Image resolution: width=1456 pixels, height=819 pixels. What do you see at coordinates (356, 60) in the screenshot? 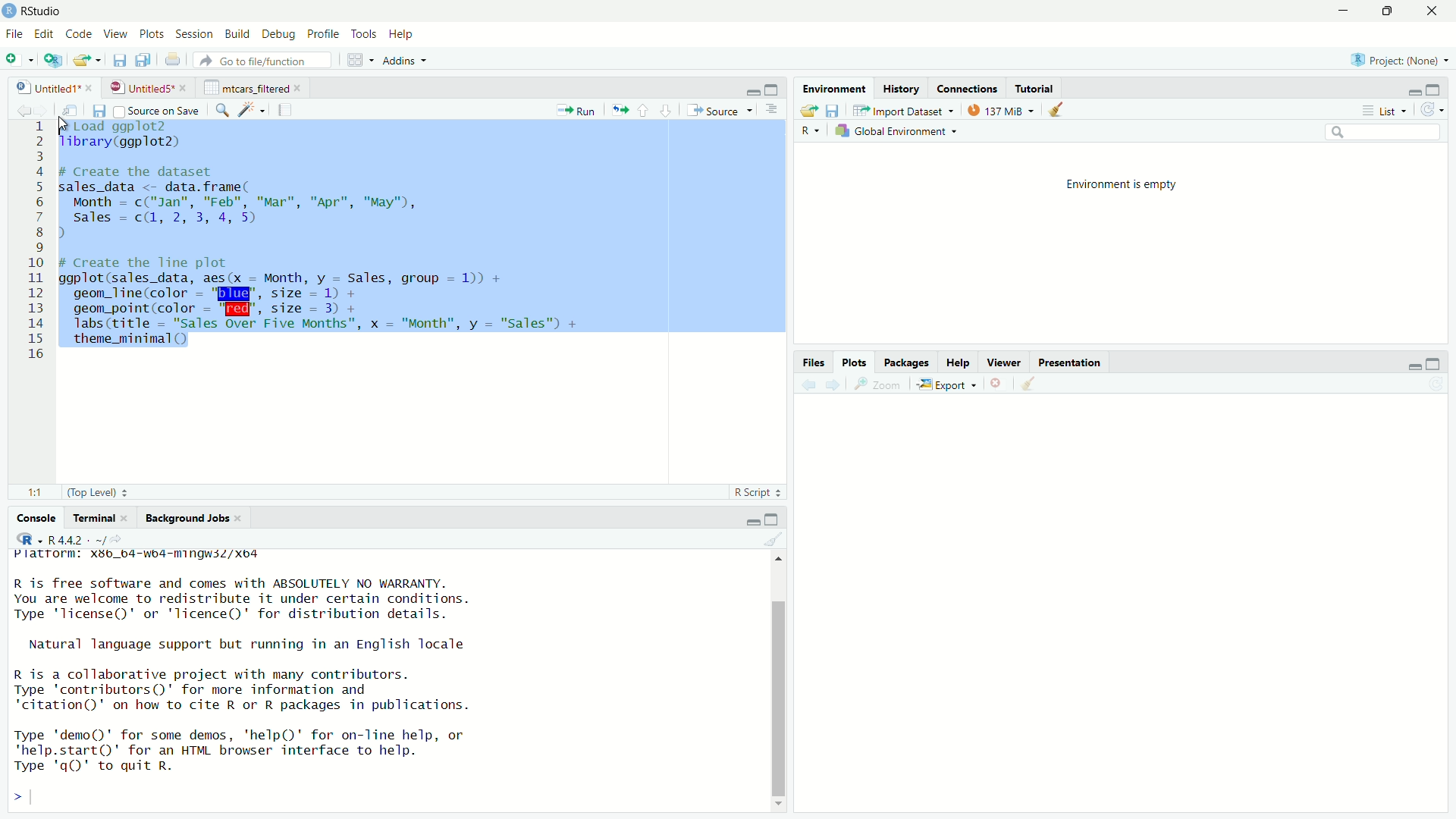
I see `workspace panes` at bounding box center [356, 60].